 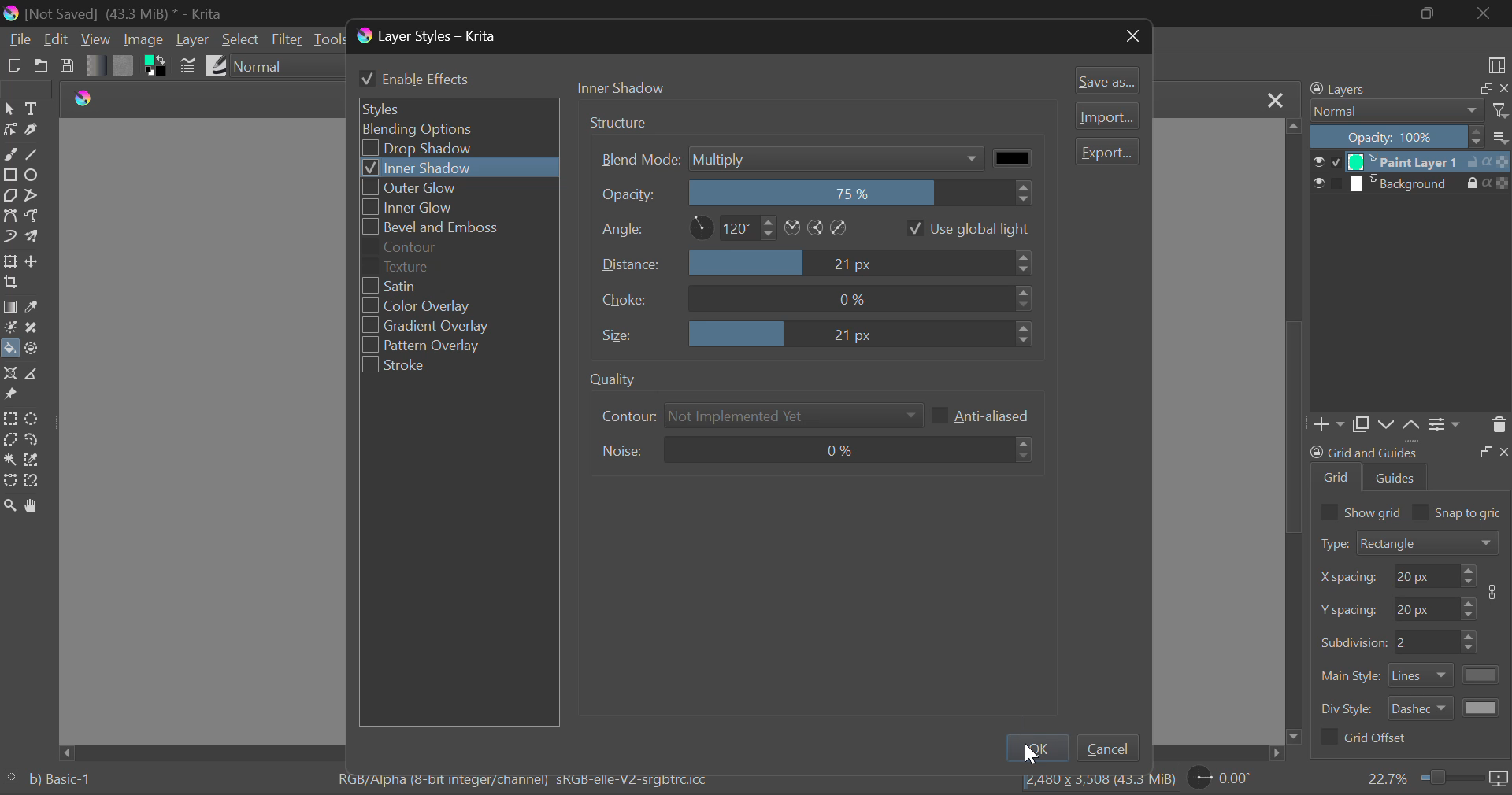 I want to click on Polygon, so click(x=9, y=194).